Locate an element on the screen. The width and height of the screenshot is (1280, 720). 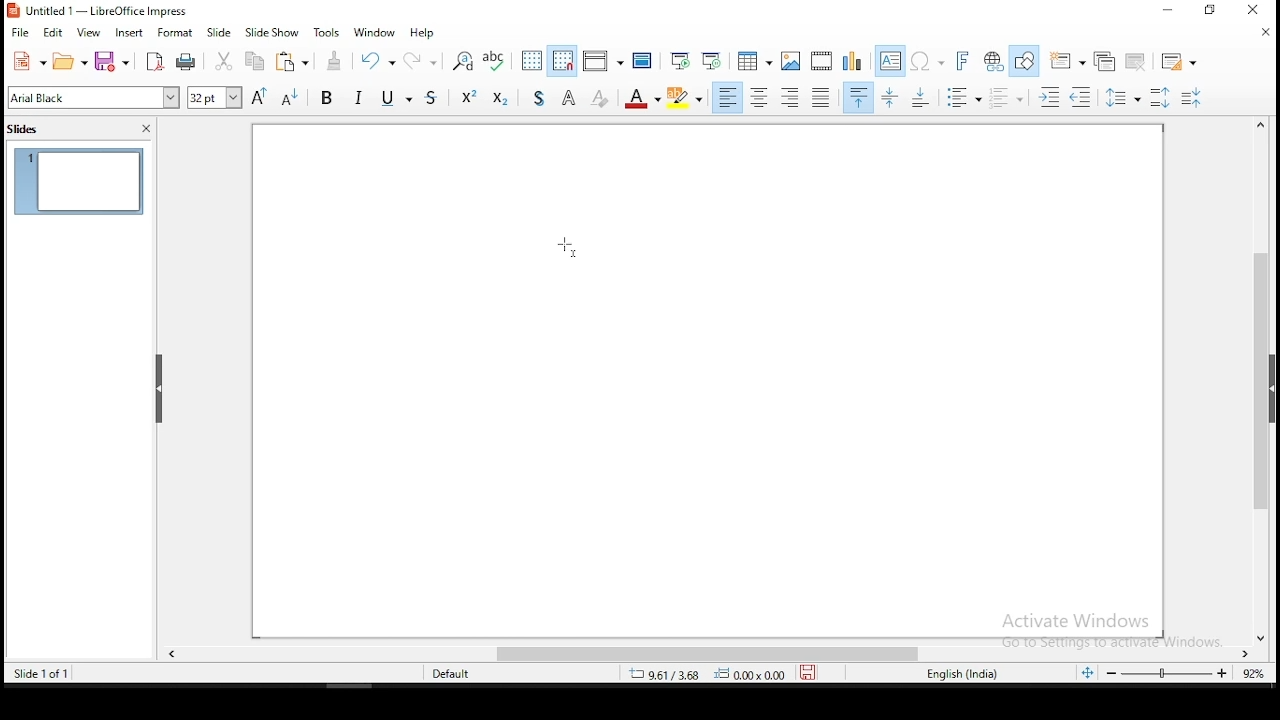
Numbered bullet list is located at coordinates (1006, 98).